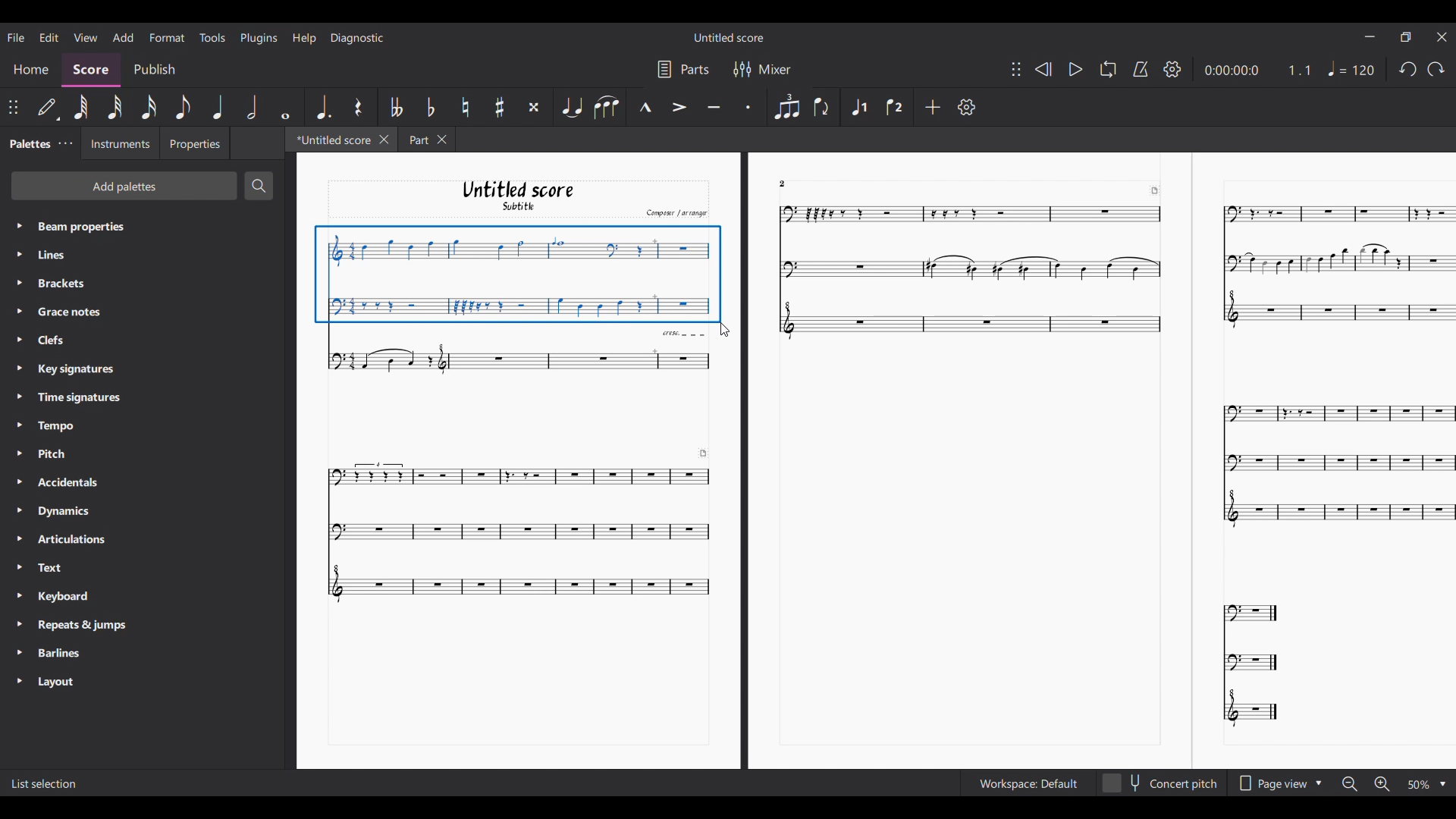  I want to click on Edit, so click(49, 37).